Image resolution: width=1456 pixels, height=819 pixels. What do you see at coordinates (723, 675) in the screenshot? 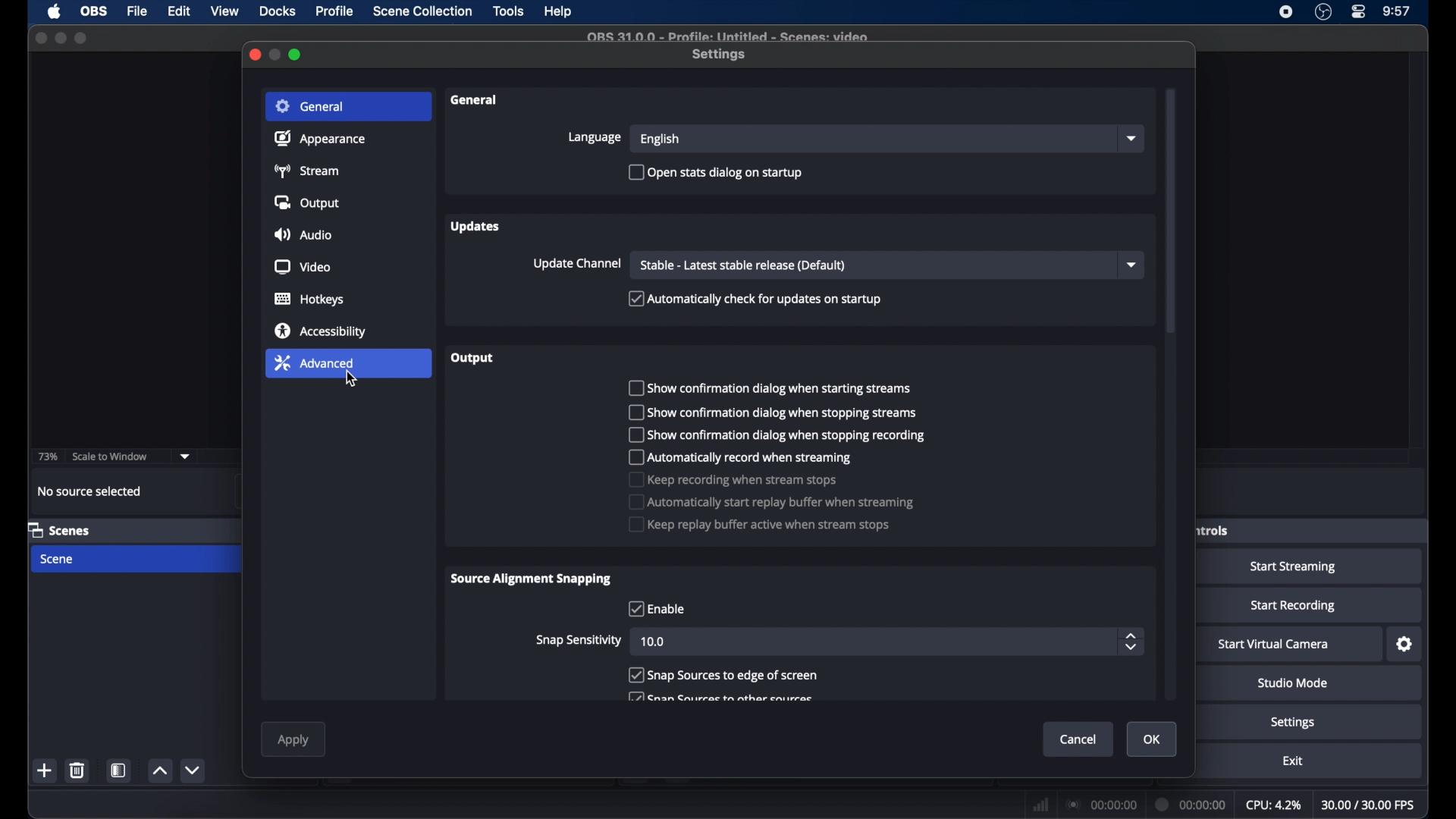
I see `checkbox` at bounding box center [723, 675].